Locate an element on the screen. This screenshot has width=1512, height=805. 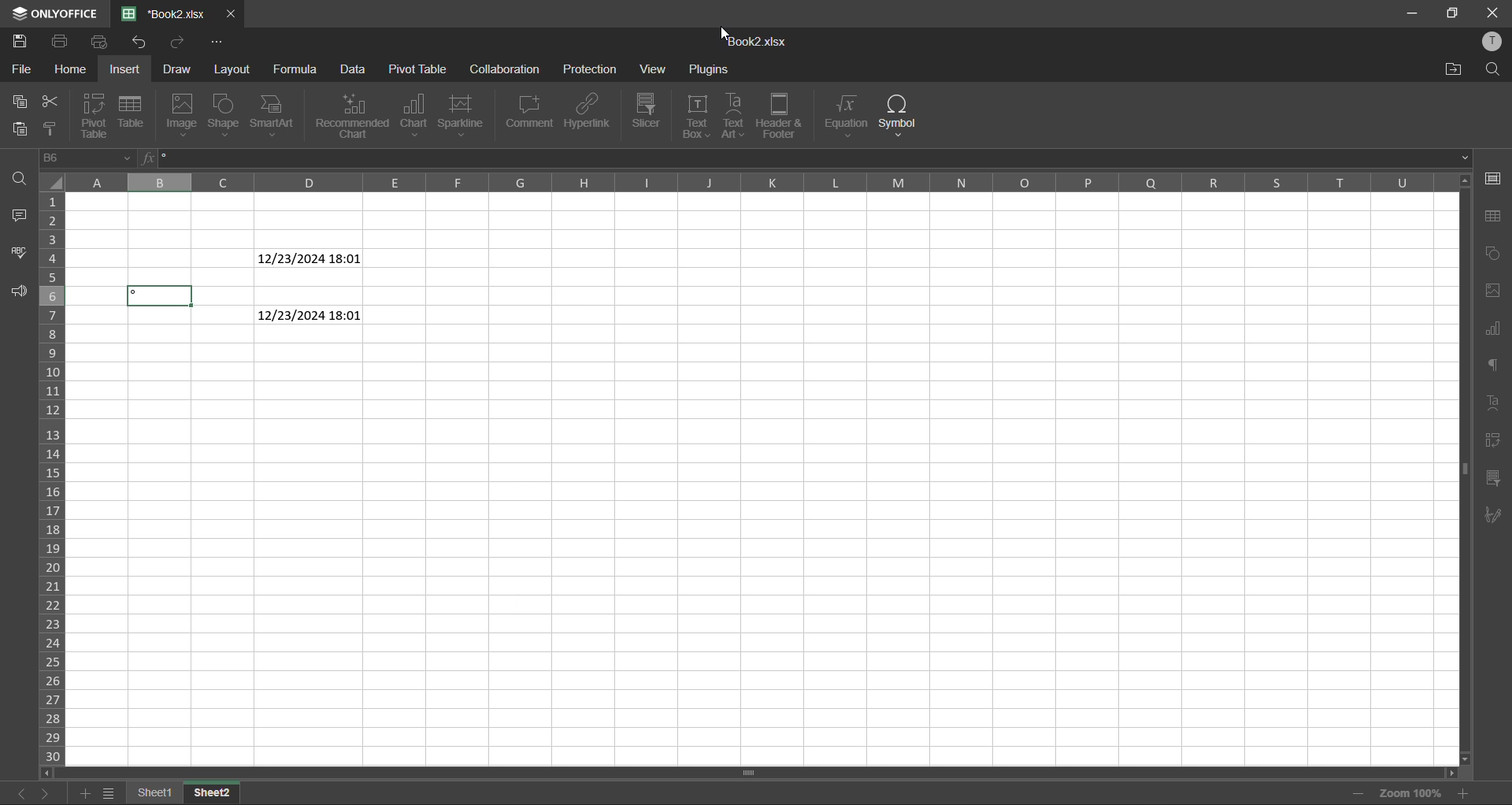
feedback is located at coordinates (23, 291).